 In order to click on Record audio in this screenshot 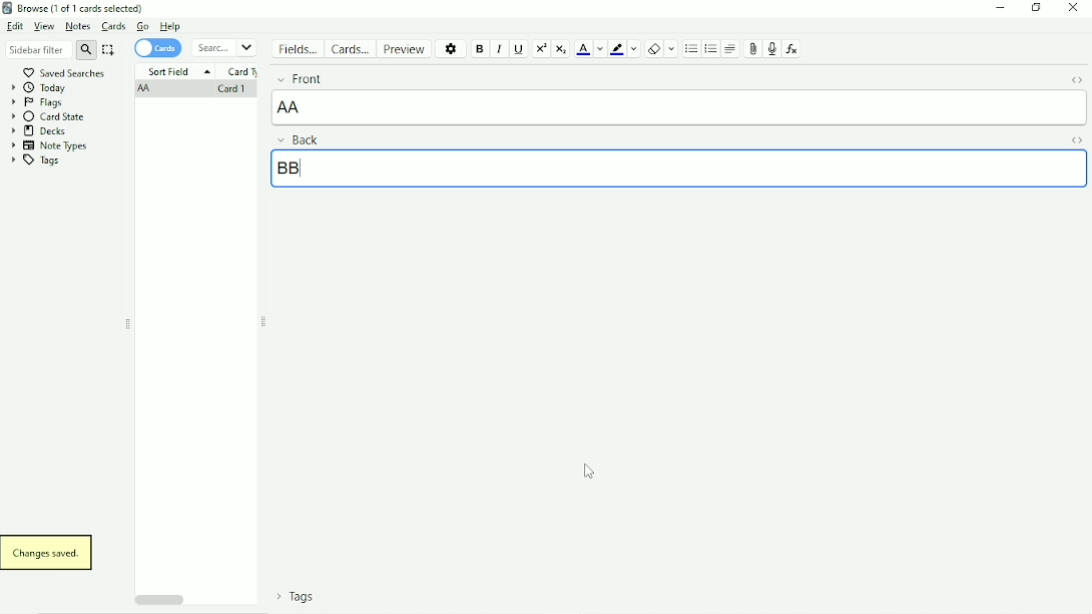, I will do `click(770, 49)`.